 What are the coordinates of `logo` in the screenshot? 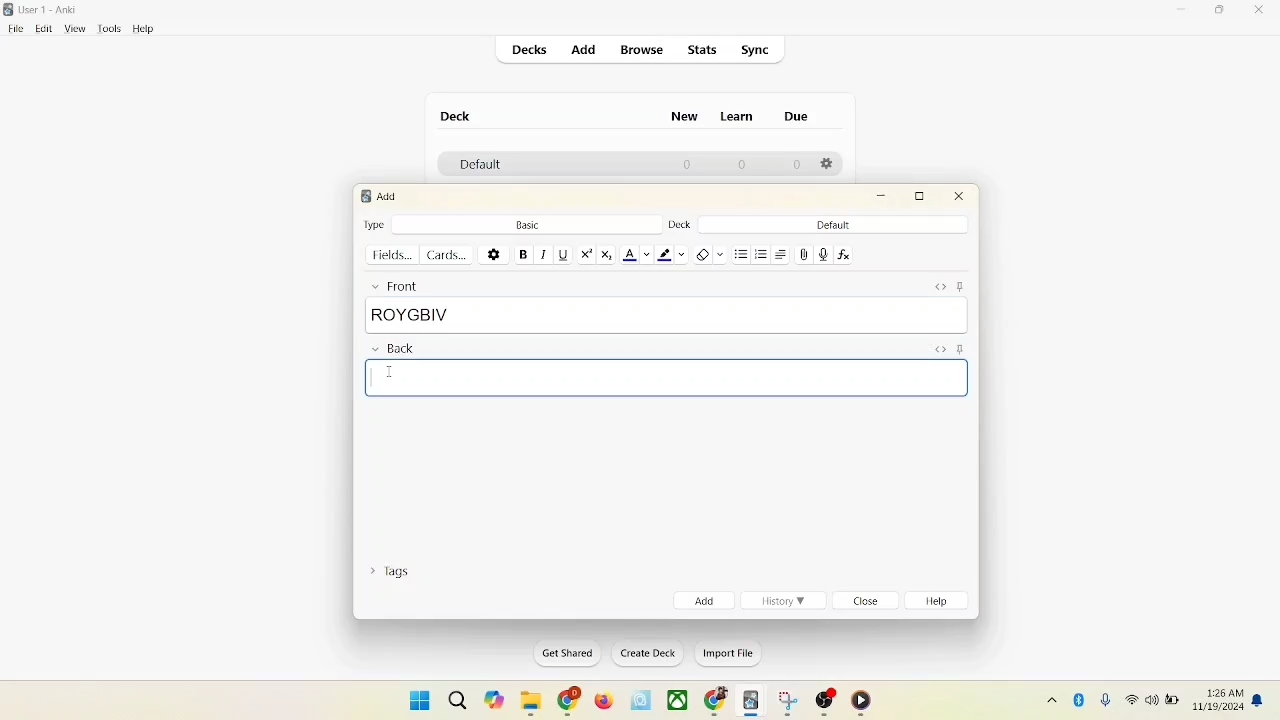 It's located at (364, 196).